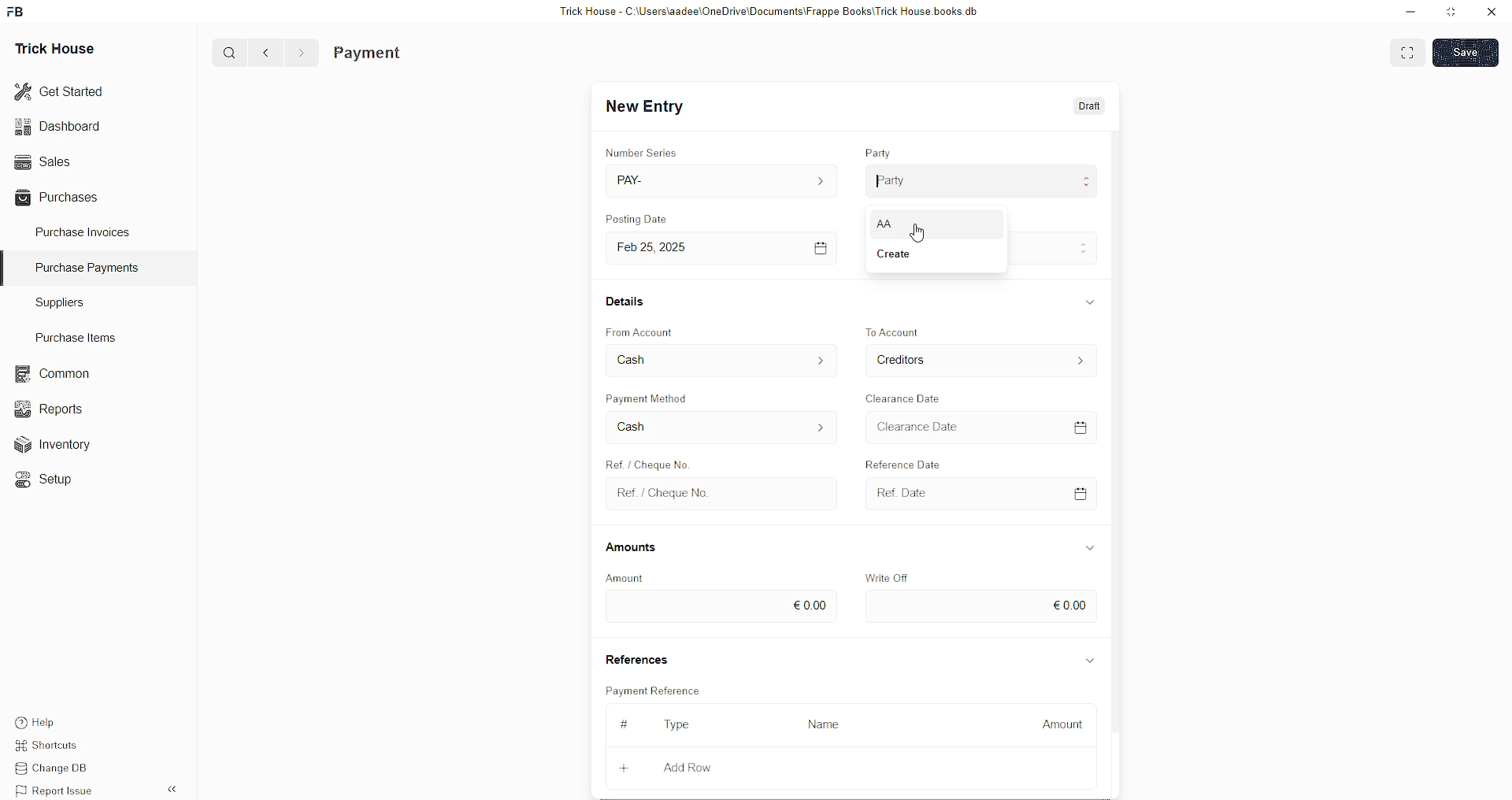  What do you see at coordinates (810, 602) in the screenshot?
I see `€0.00` at bounding box center [810, 602].